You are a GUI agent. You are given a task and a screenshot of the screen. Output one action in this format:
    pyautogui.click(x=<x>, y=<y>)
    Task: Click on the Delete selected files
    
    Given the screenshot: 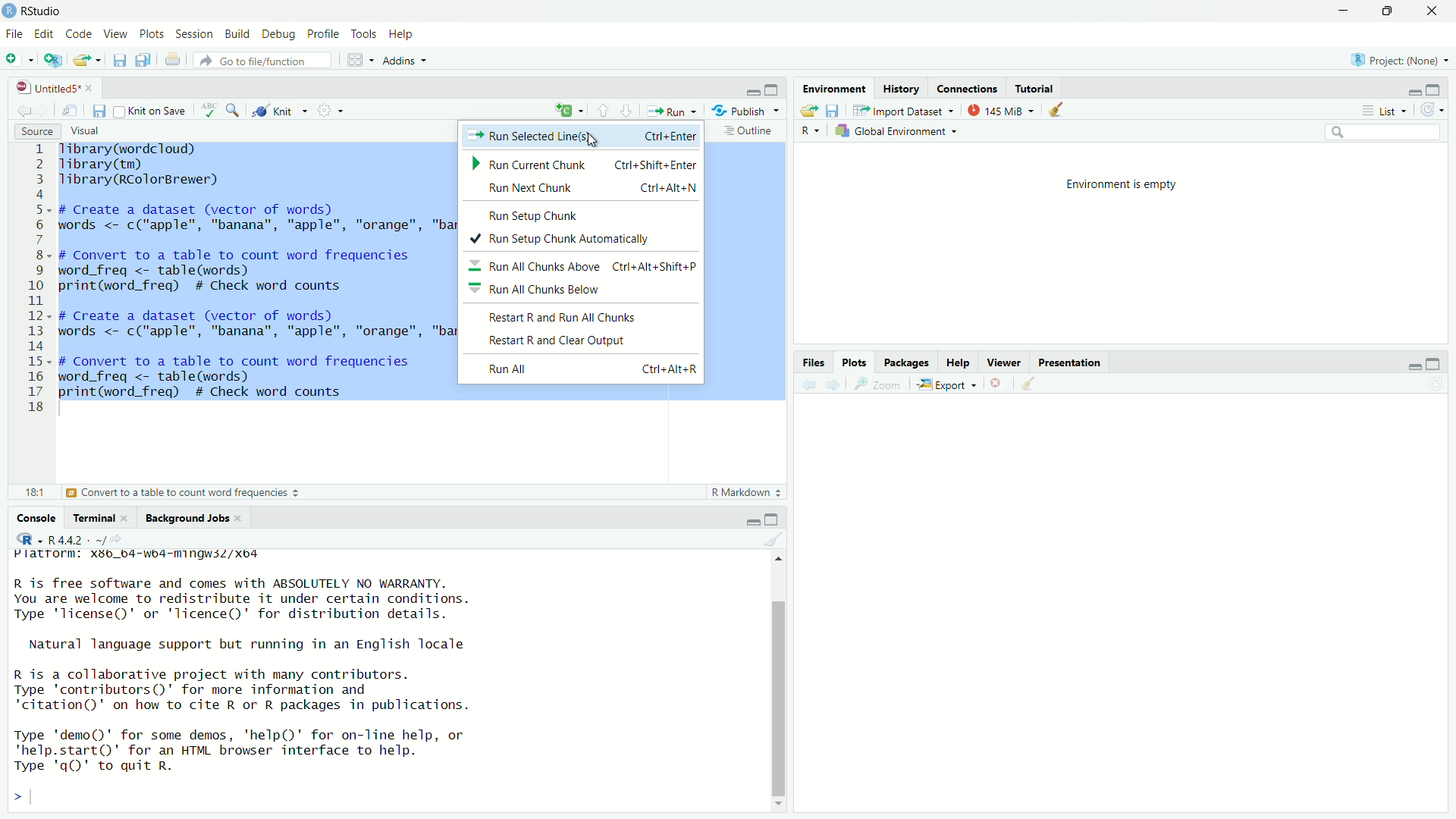 What is the action you would take?
    pyautogui.click(x=997, y=383)
    